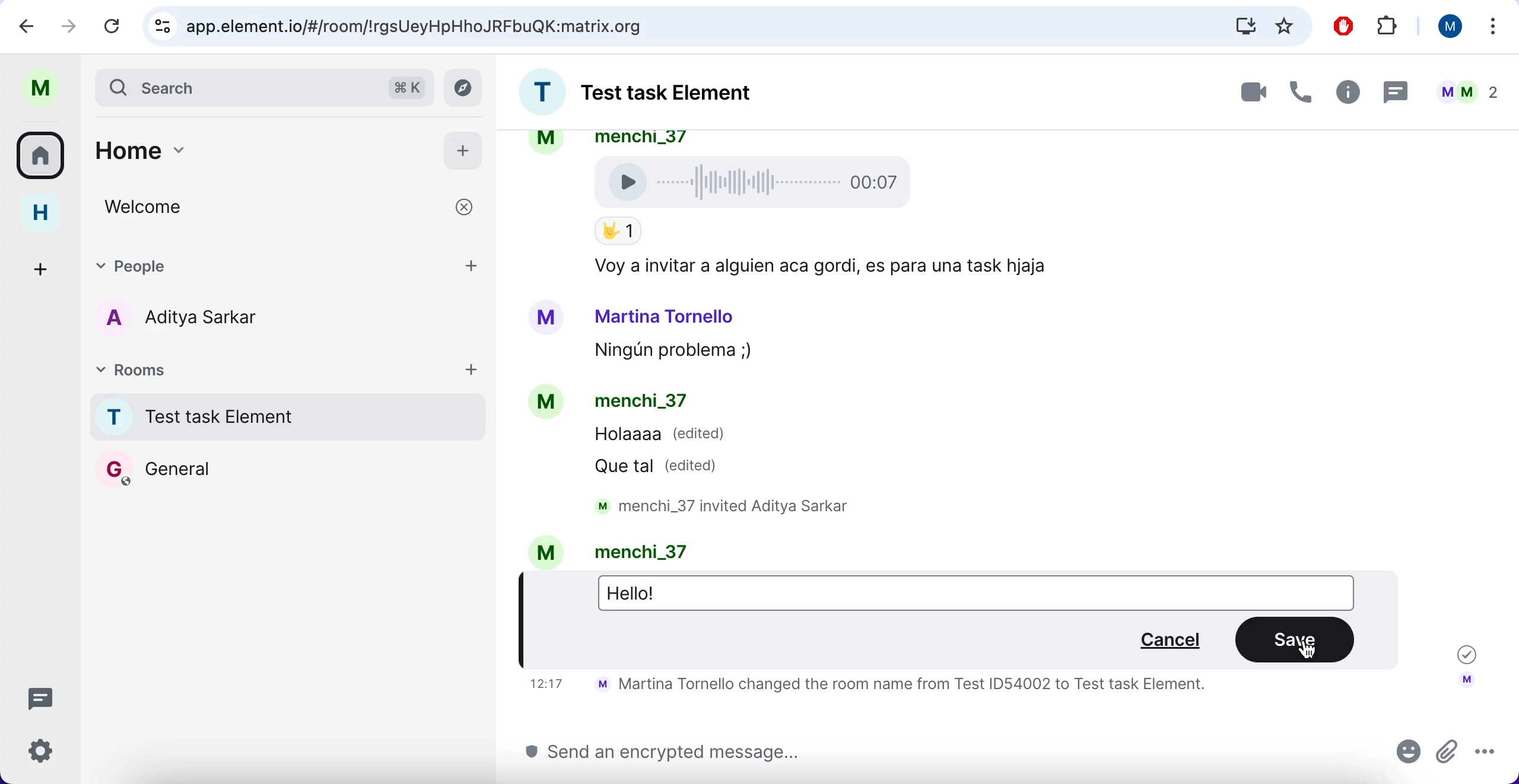 The width and height of the screenshot is (1519, 784). I want to click on more options, so click(1488, 28).